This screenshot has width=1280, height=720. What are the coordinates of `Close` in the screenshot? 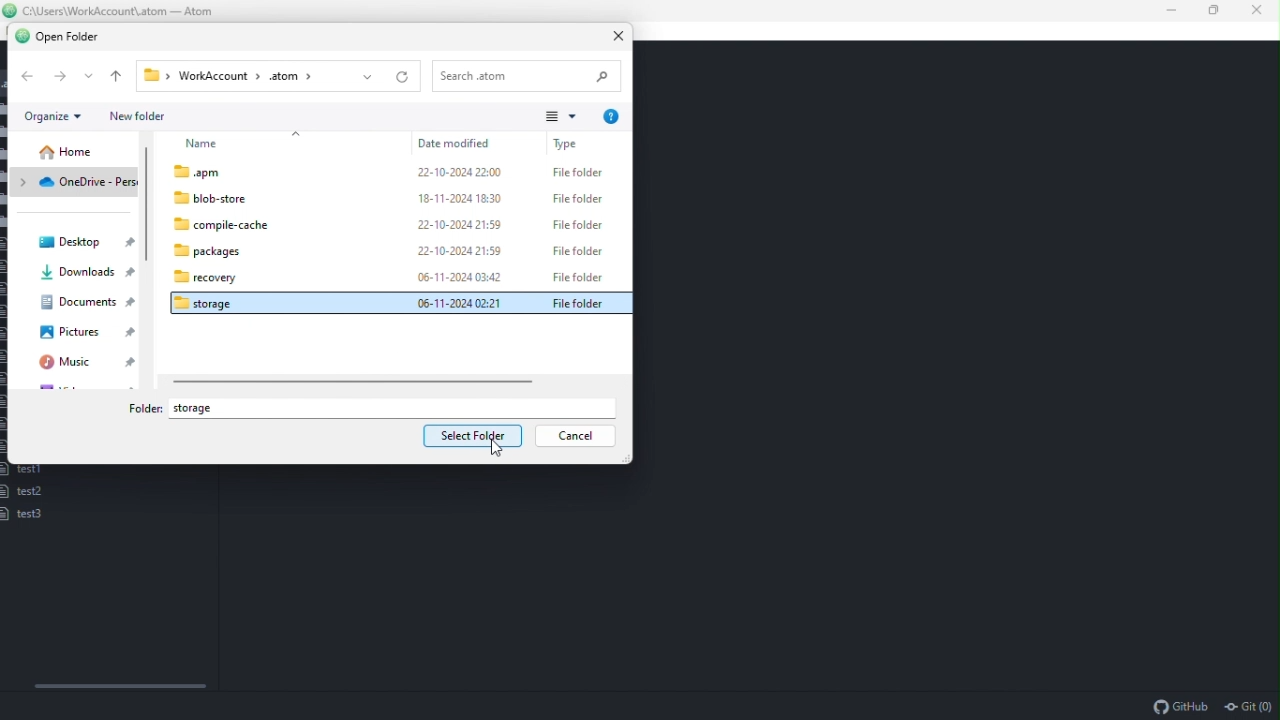 It's located at (1259, 9).